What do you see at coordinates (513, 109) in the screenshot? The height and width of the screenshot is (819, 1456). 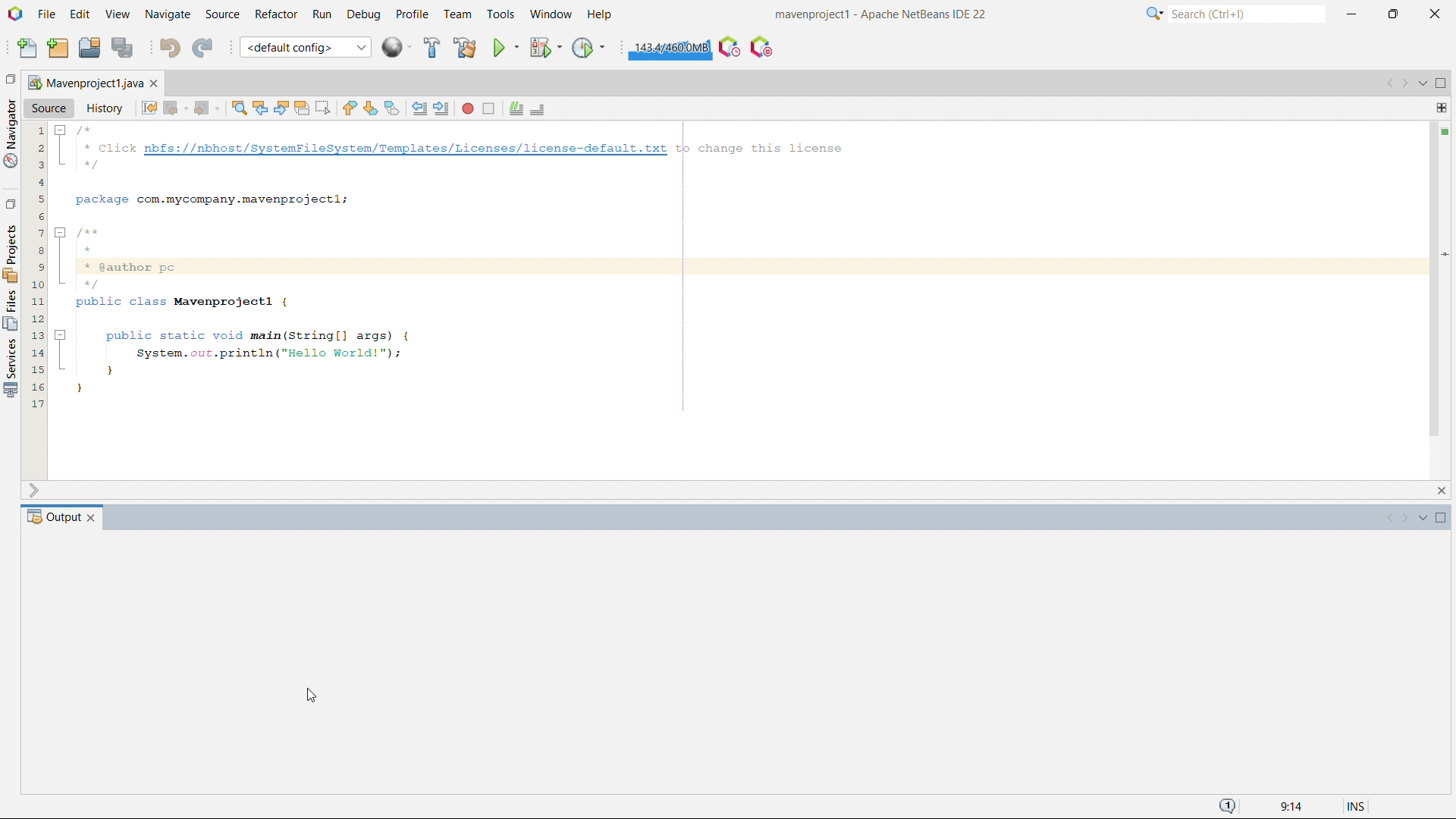 I see `comment` at bounding box center [513, 109].